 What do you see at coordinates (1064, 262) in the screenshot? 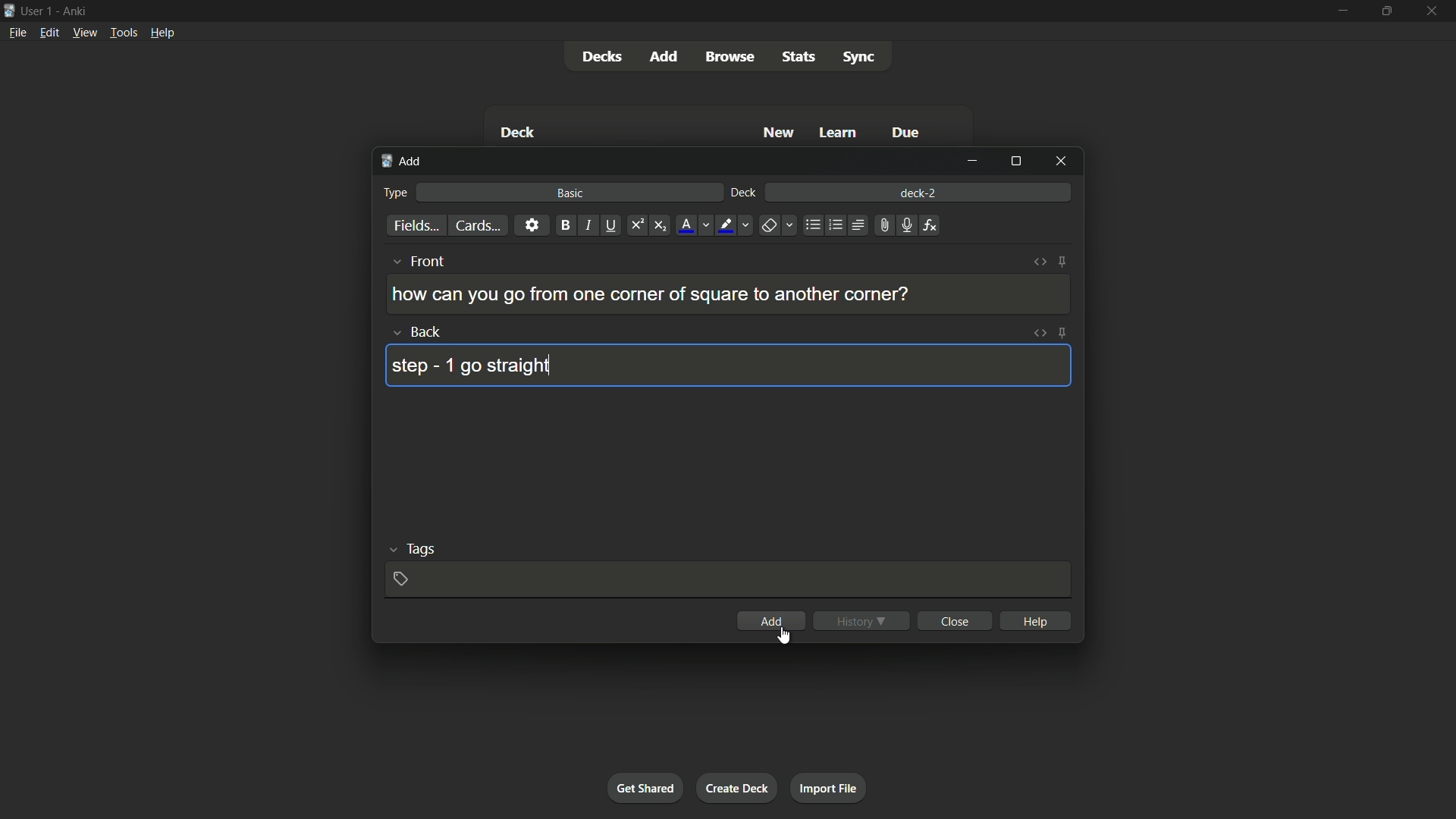
I see `toggle sticky` at bounding box center [1064, 262].